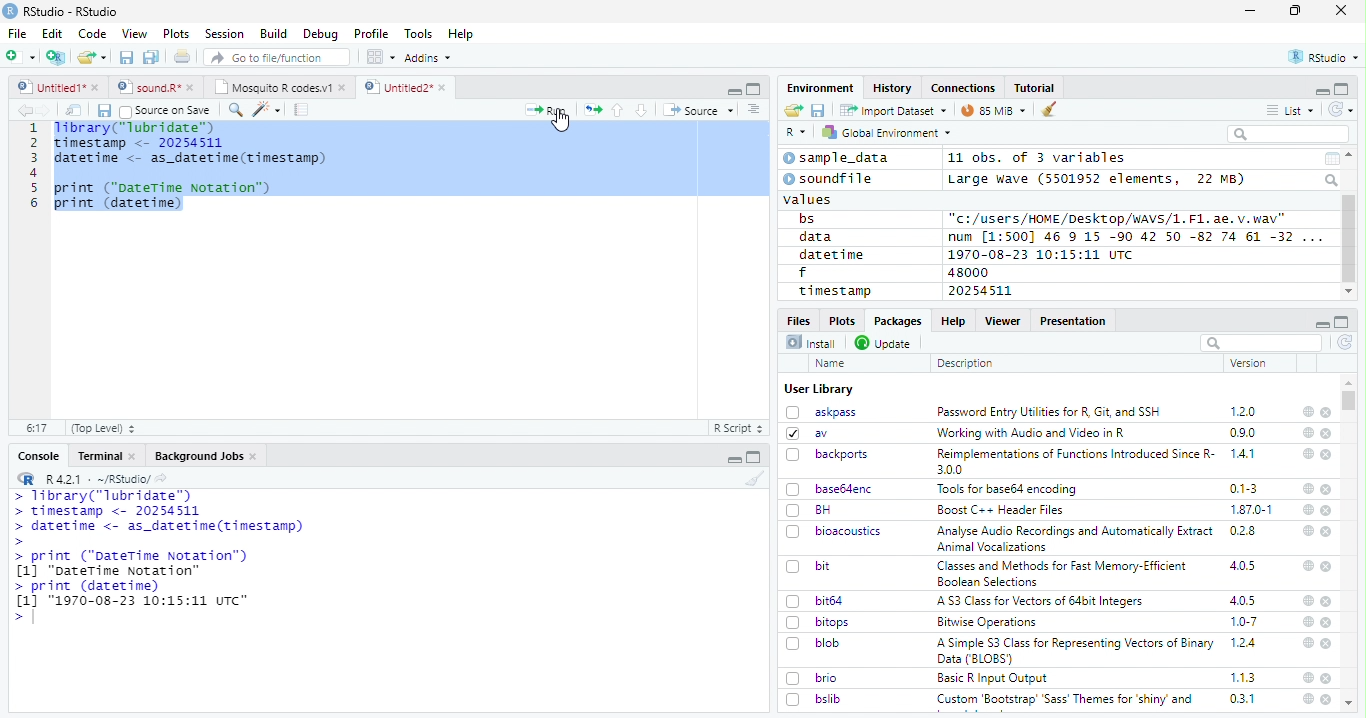 This screenshot has width=1366, height=718. I want to click on 0.2.8, so click(1244, 530).